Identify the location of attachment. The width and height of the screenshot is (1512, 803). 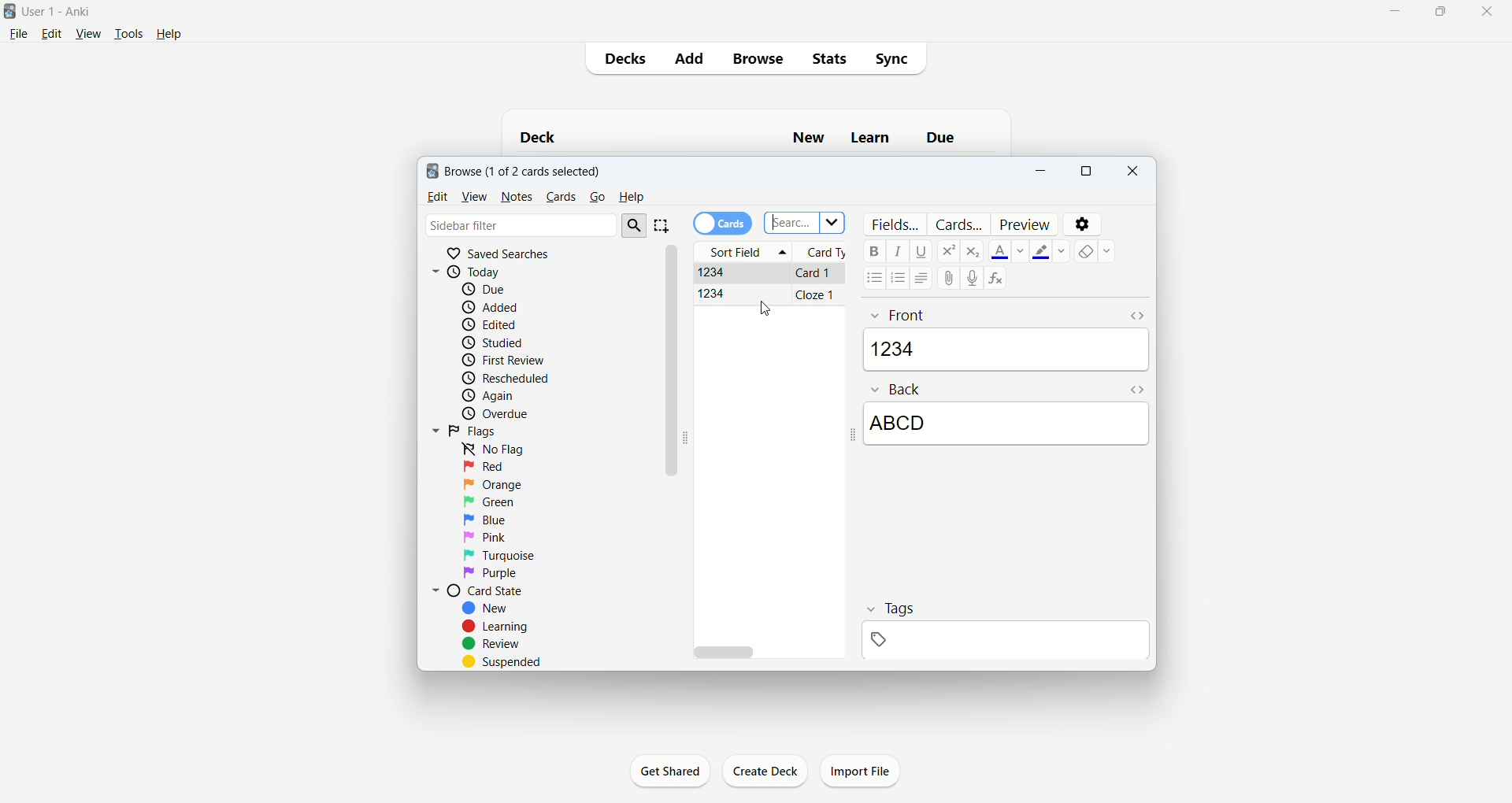
(950, 279).